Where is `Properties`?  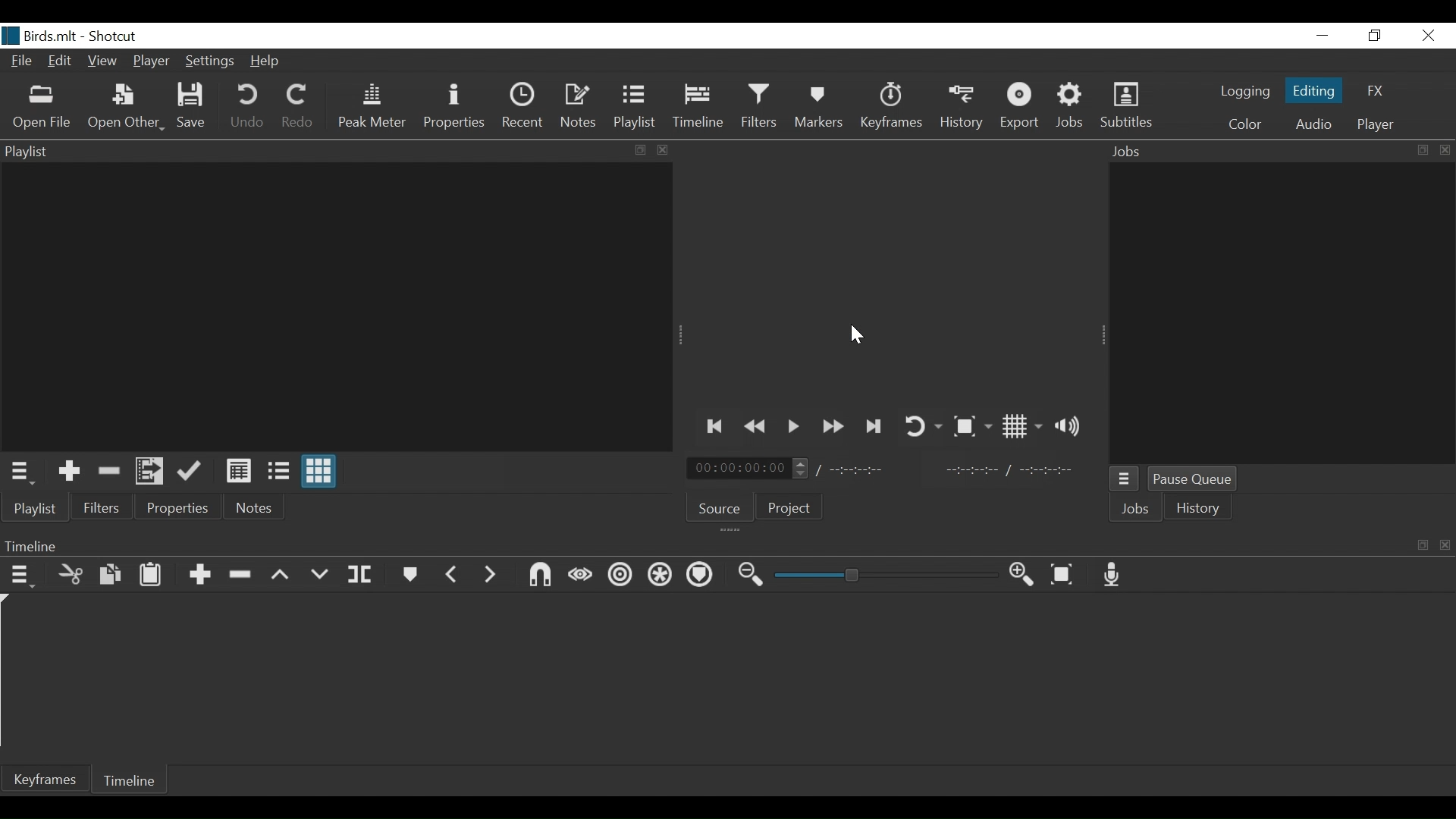
Properties is located at coordinates (179, 507).